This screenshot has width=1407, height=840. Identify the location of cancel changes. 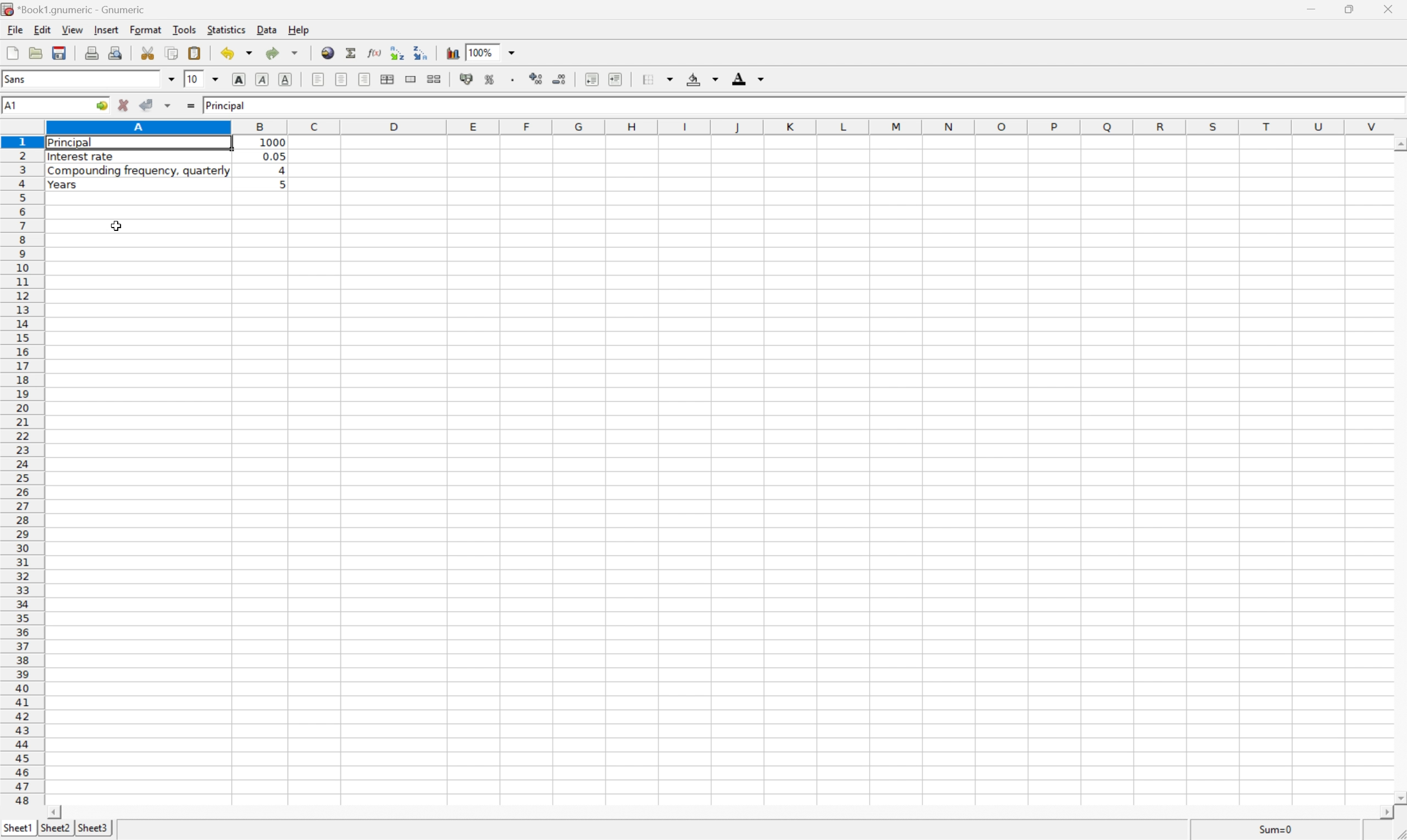
(124, 104).